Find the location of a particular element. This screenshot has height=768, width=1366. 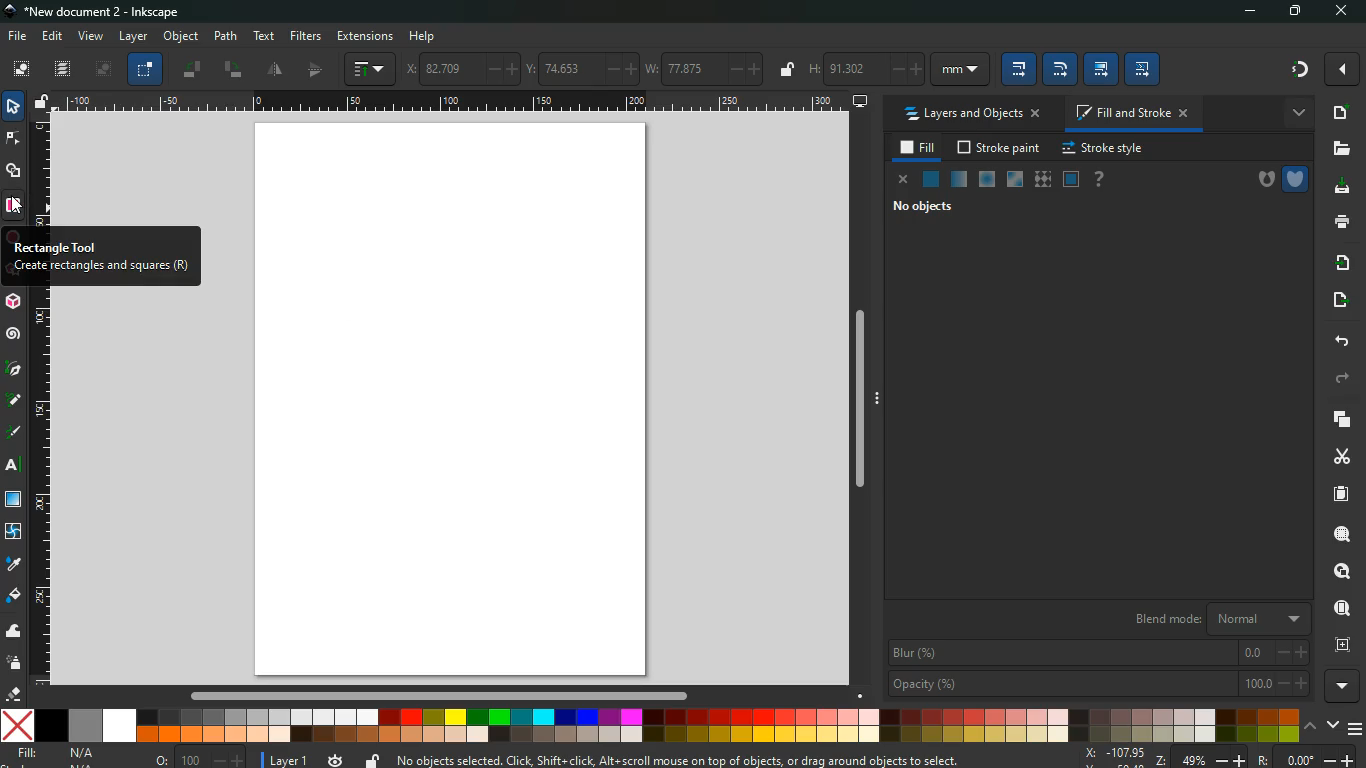

vertical ruler is located at coordinates (44, 488).